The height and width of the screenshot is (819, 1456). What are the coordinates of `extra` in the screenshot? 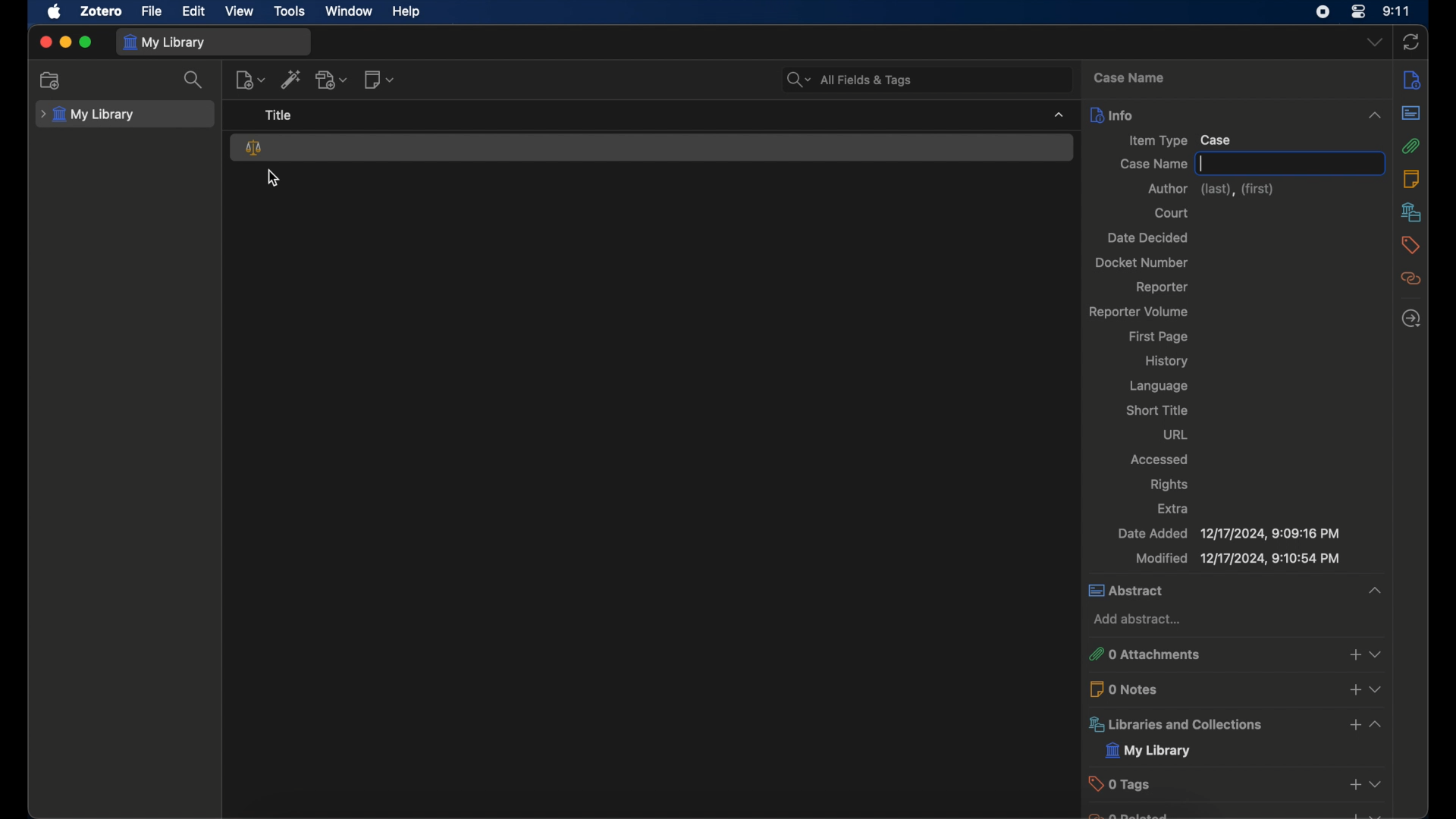 It's located at (1173, 509).